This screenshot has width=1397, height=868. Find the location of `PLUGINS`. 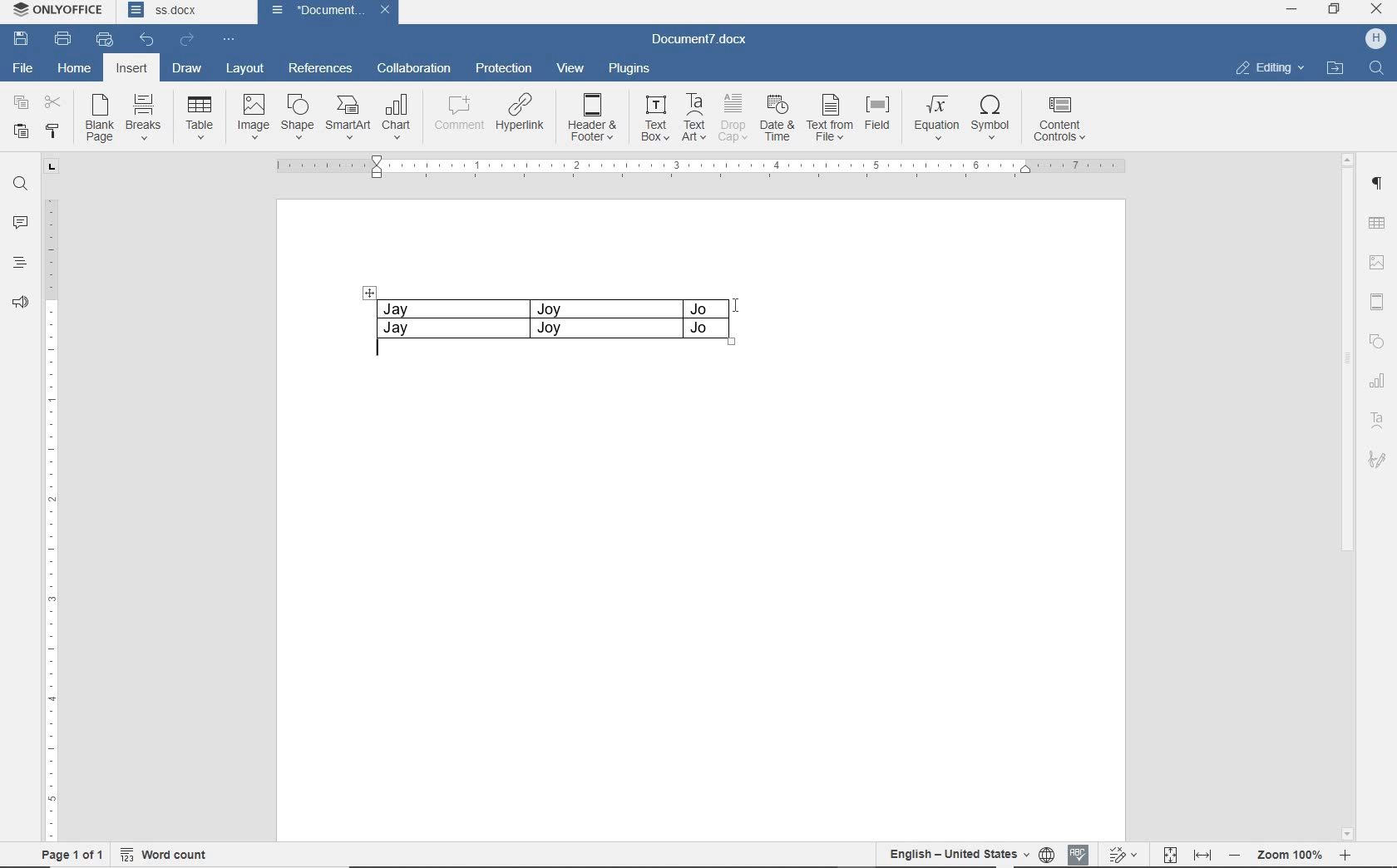

PLUGINS is located at coordinates (629, 67).